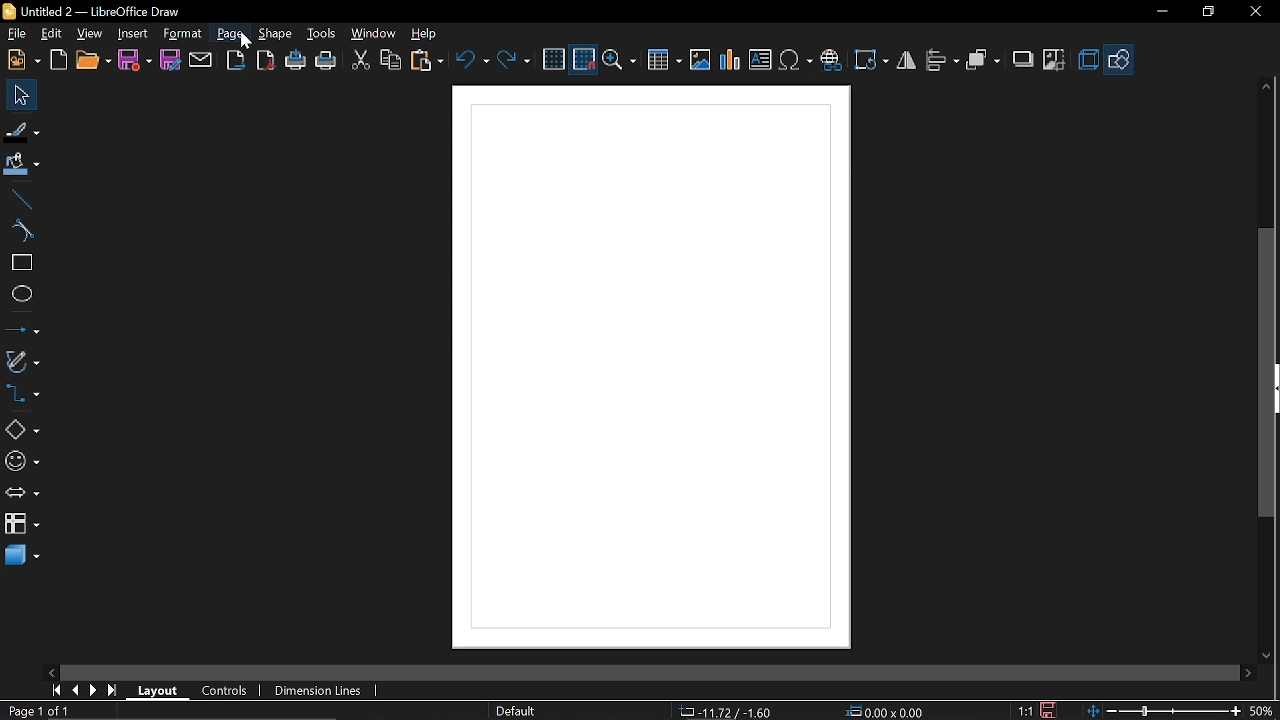 This screenshot has height=720, width=1280. Describe the element at coordinates (584, 59) in the screenshot. I see `Snap to grid` at that location.